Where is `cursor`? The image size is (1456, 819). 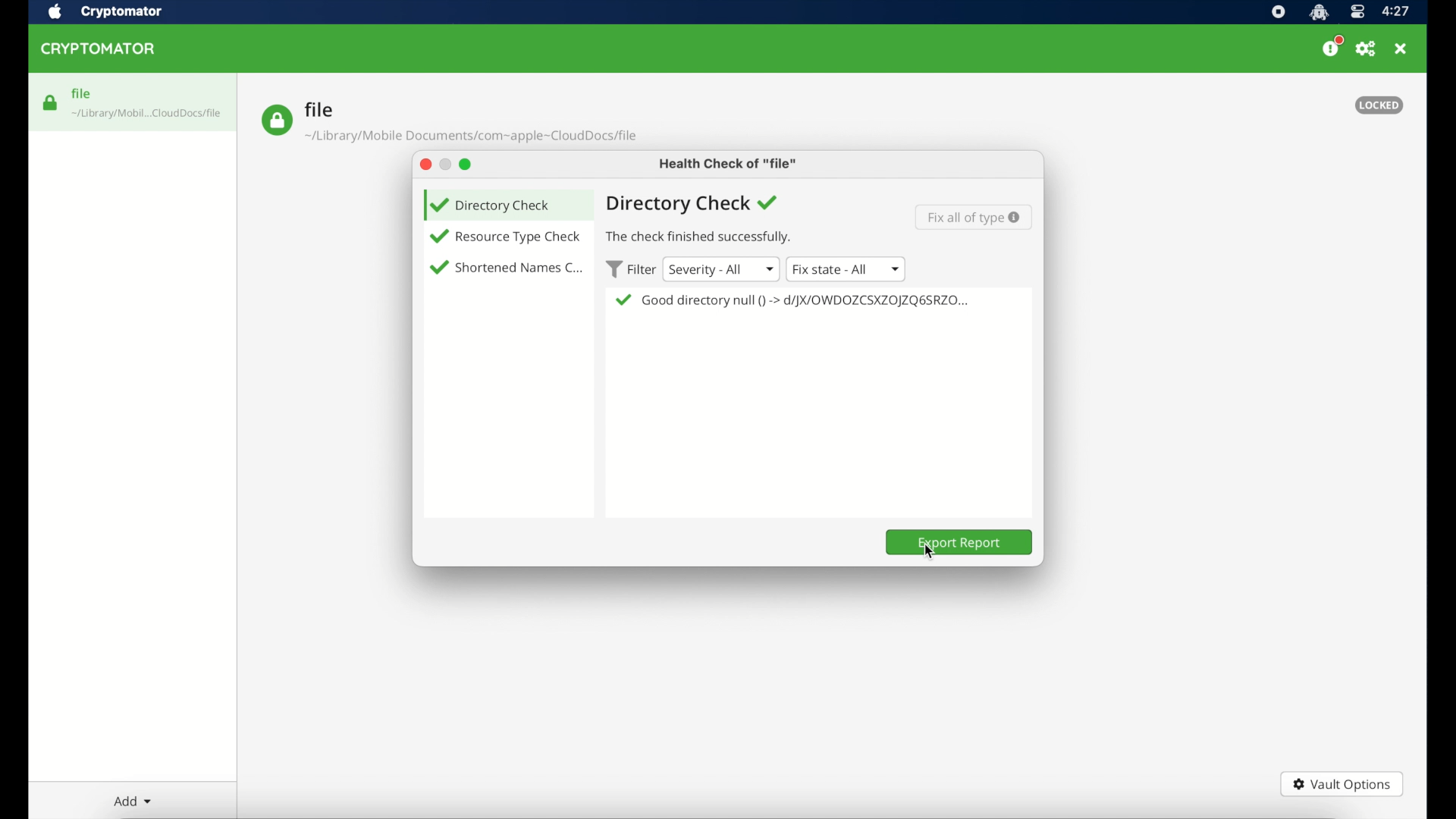
cursor is located at coordinates (927, 554).